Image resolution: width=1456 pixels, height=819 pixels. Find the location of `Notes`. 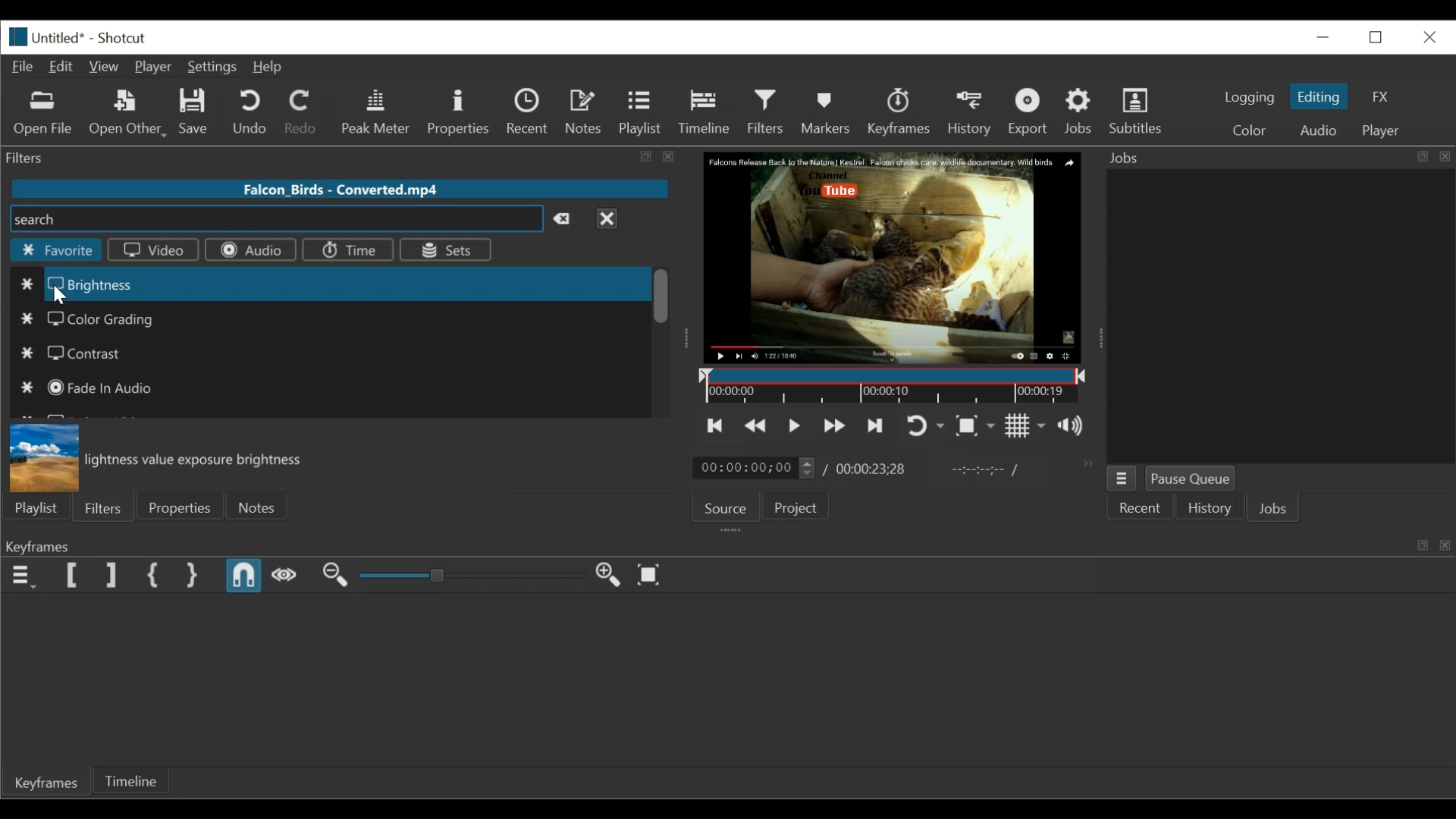

Notes is located at coordinates (585, 111).